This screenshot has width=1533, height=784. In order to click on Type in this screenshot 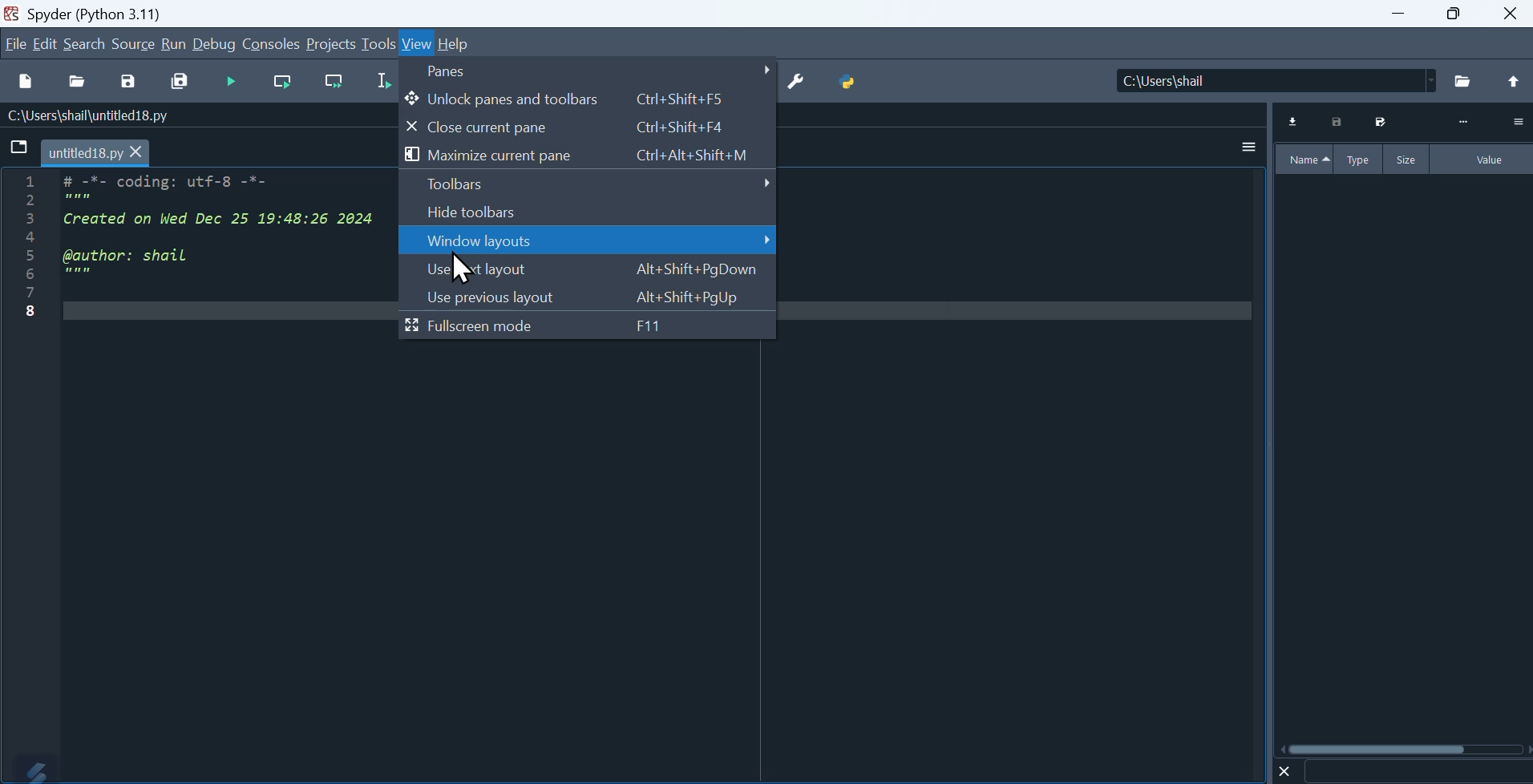, I will do `click(1361, 159)`.